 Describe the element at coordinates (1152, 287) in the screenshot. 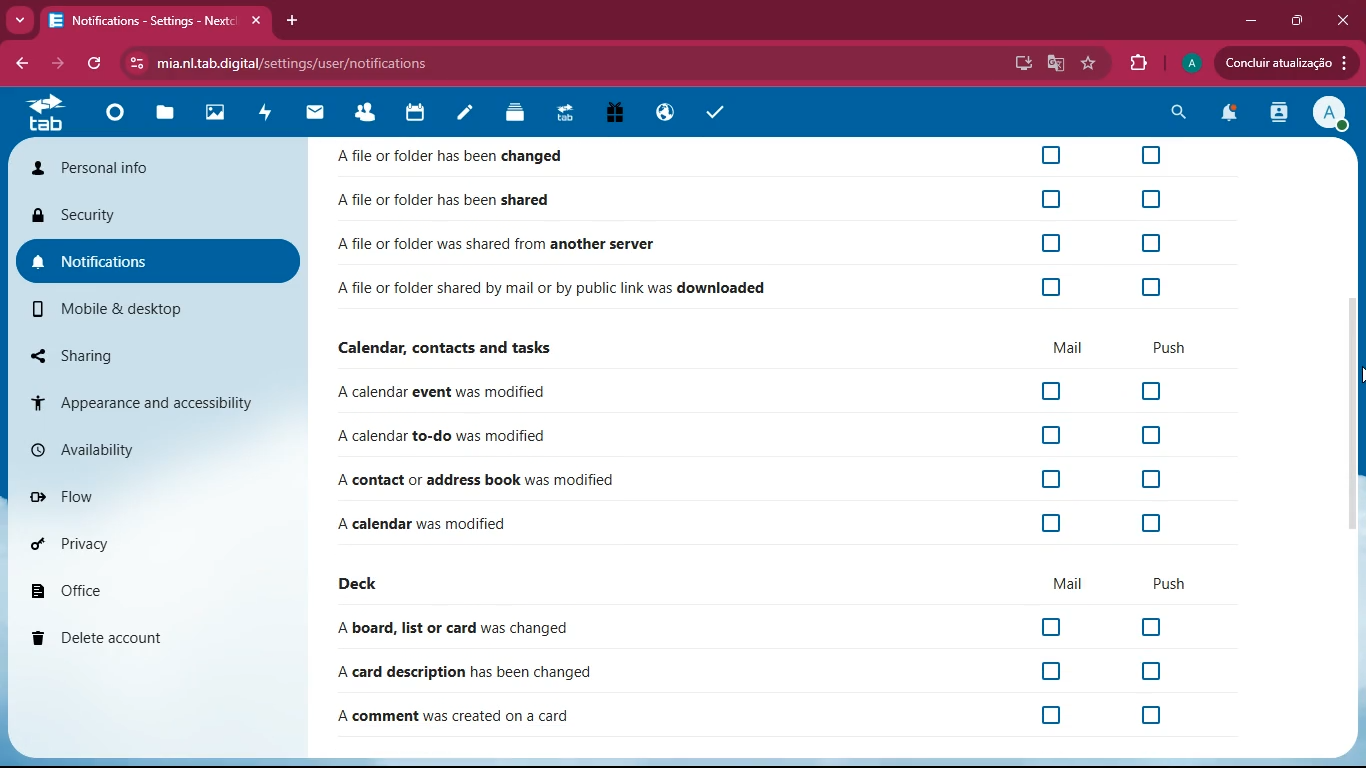

I see `off` at that location.